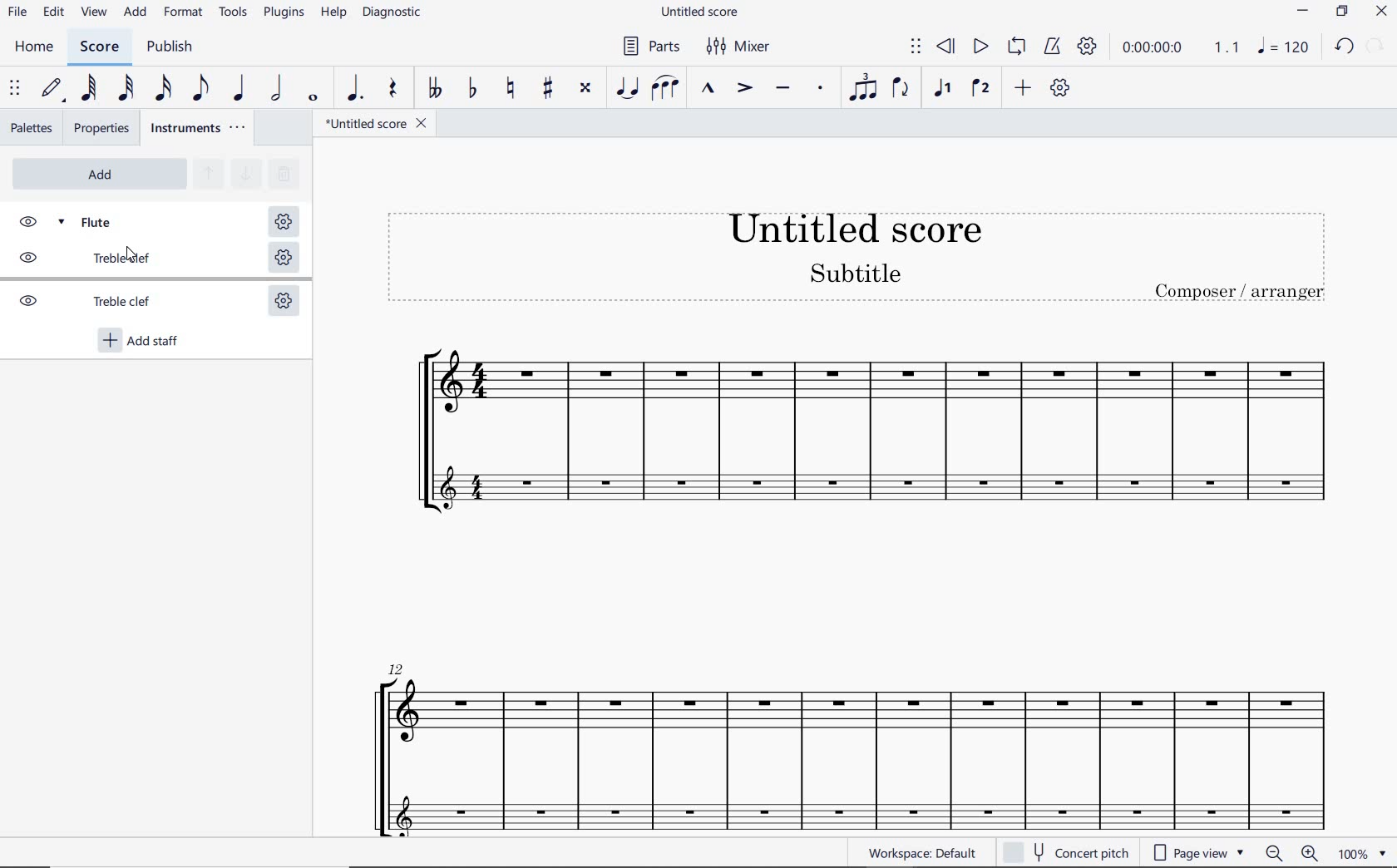 This screenshot has height=868, width=1397. I want to click on SELECT TO MOVE, so click(15, 91).